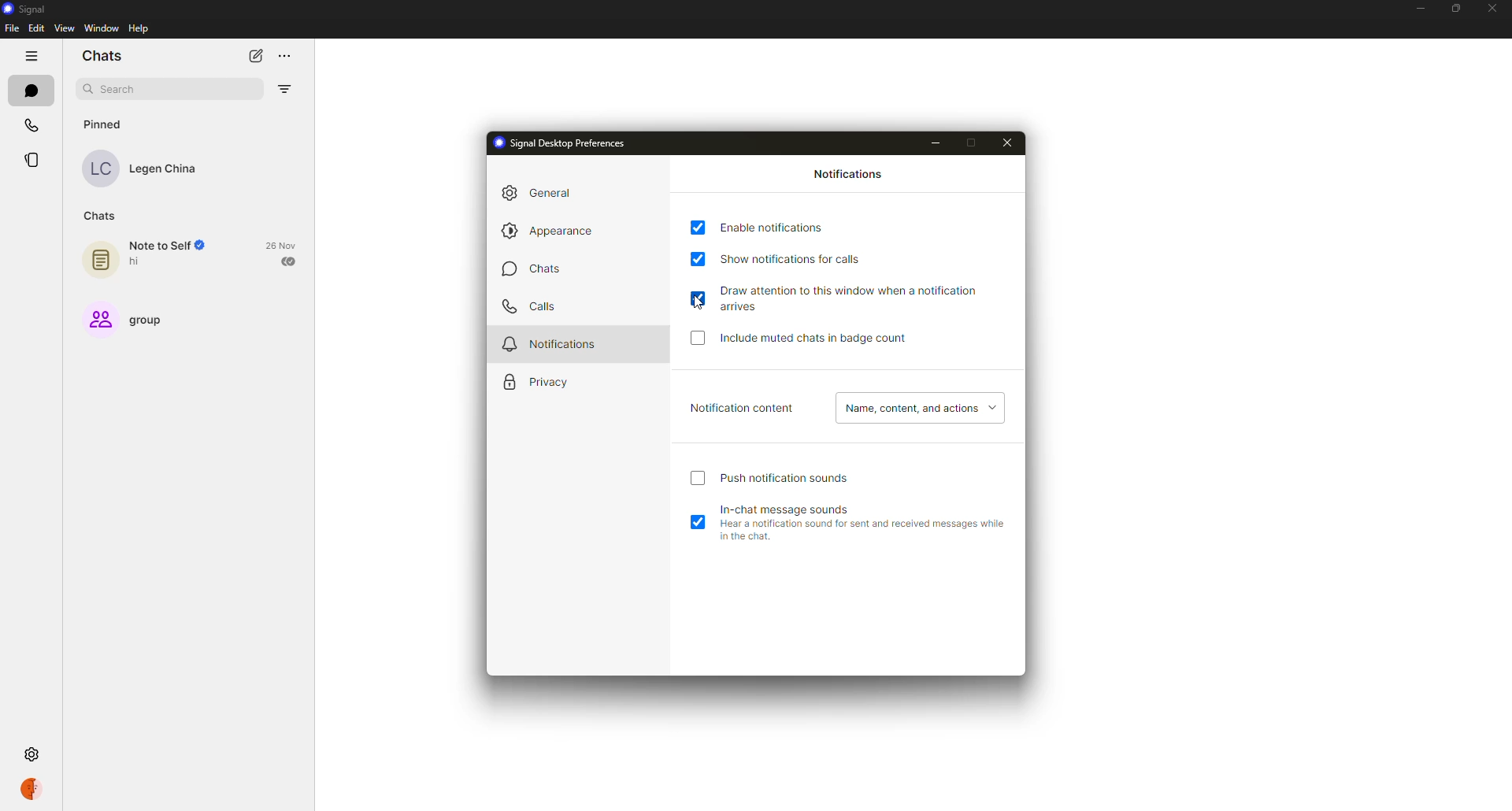 This screenshot has height=811, width=1512. Describe the element at coordinates (97, 318) in the screenshot. I see `Group Icon` at that location.